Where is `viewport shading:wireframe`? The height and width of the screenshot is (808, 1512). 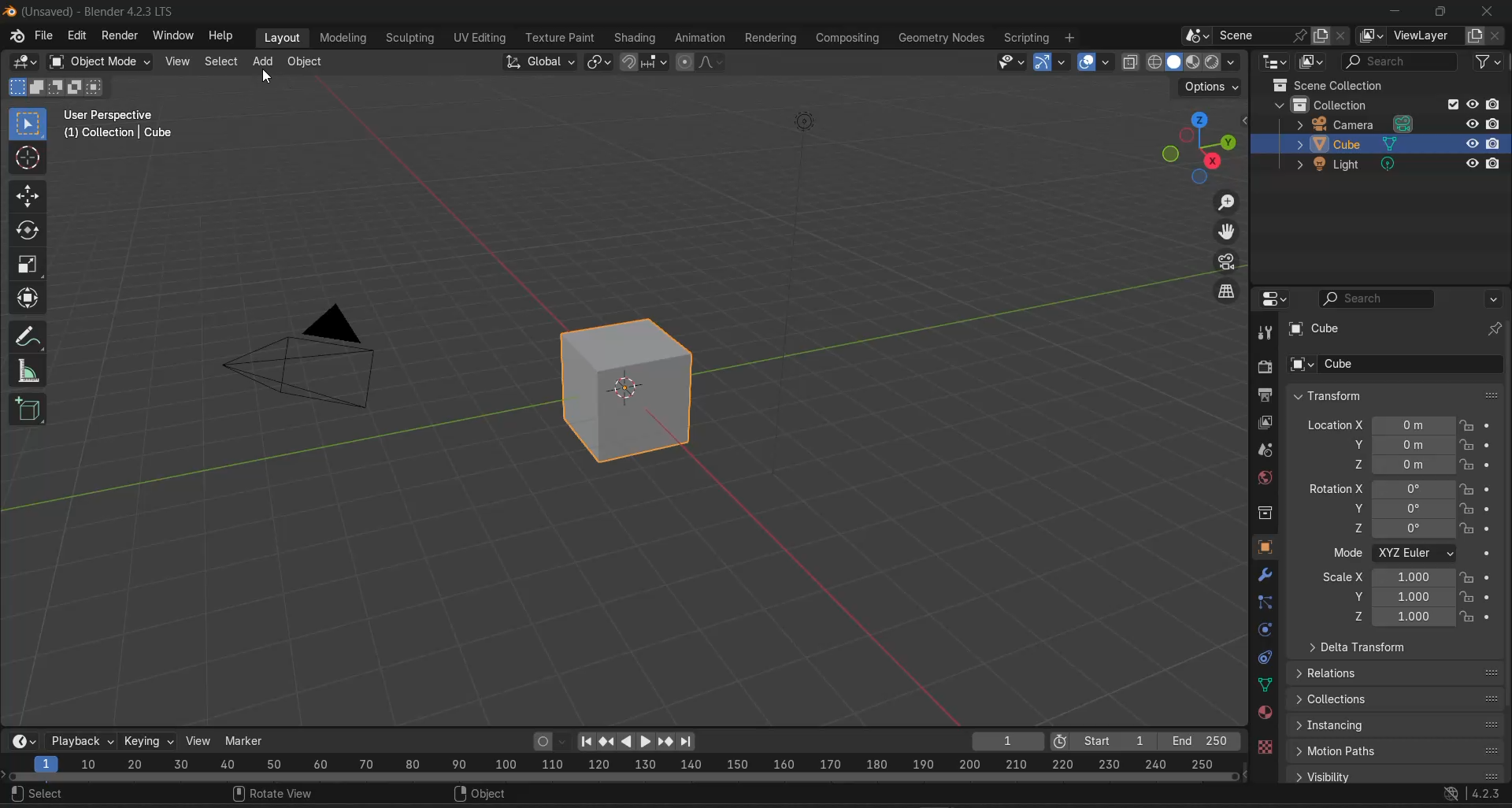
viewport shading:wireframe is located at coordinates (1151, 61).